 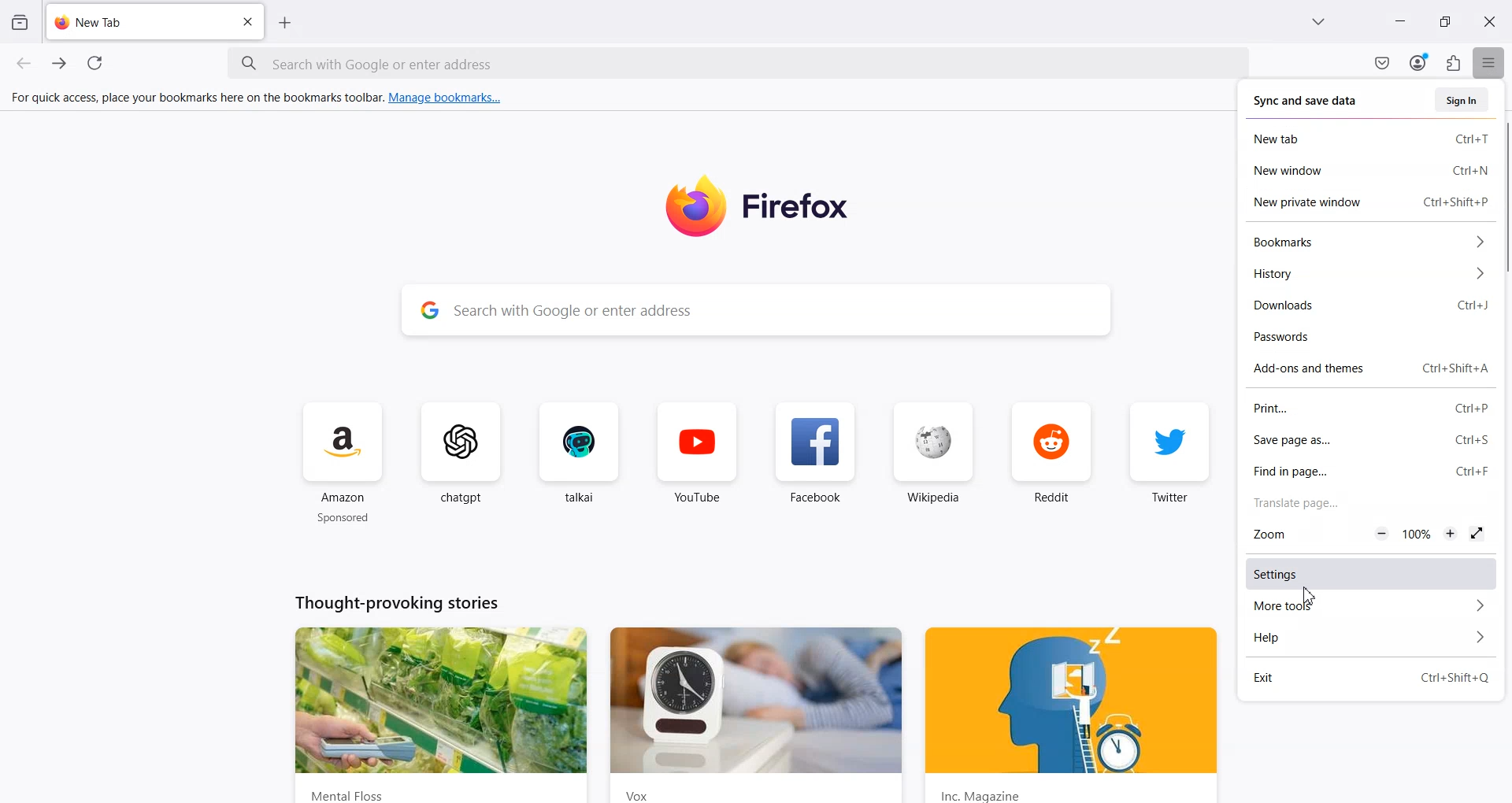 What do you see at coordinates (815, 464) in the screenshot?
I see `Facebook` at bounding box center [815, 464].